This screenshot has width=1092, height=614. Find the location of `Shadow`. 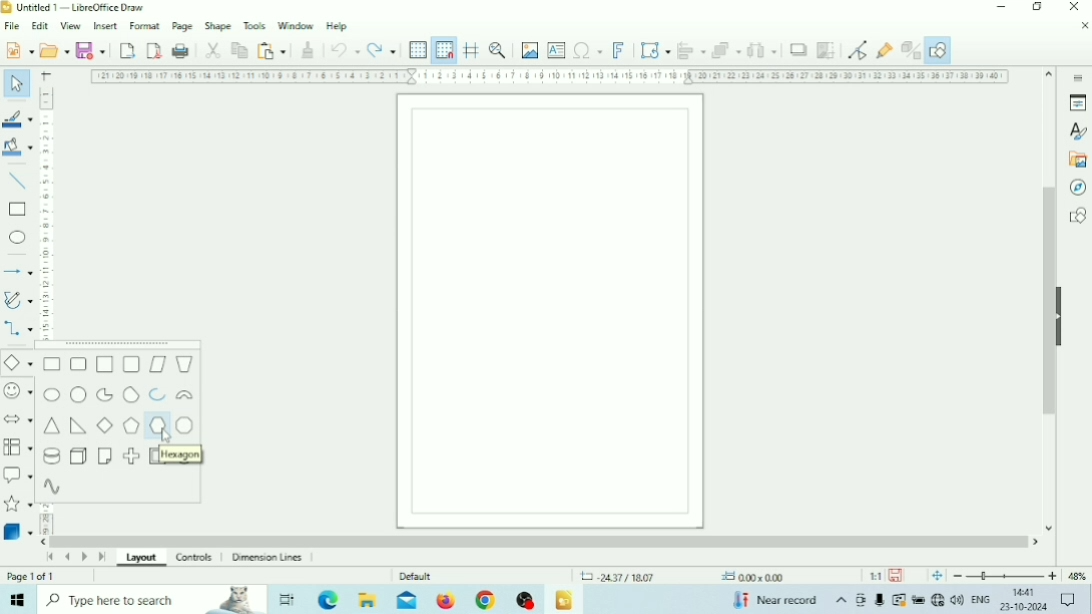

Shadow is located at coordinates (798, 50).